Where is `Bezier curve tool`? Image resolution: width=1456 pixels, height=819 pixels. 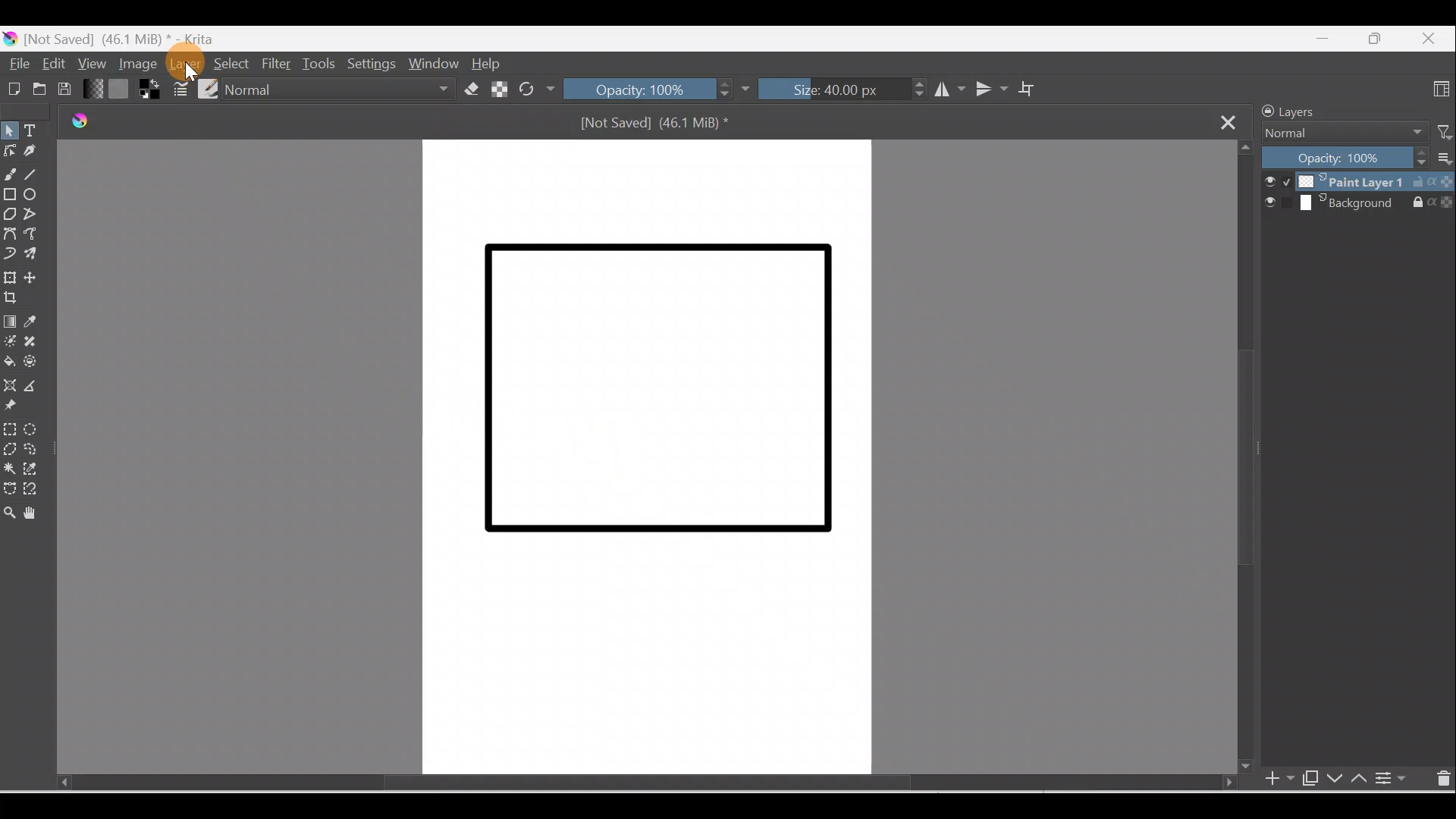
Bezier curve tool is located at coordinates (12, 234).